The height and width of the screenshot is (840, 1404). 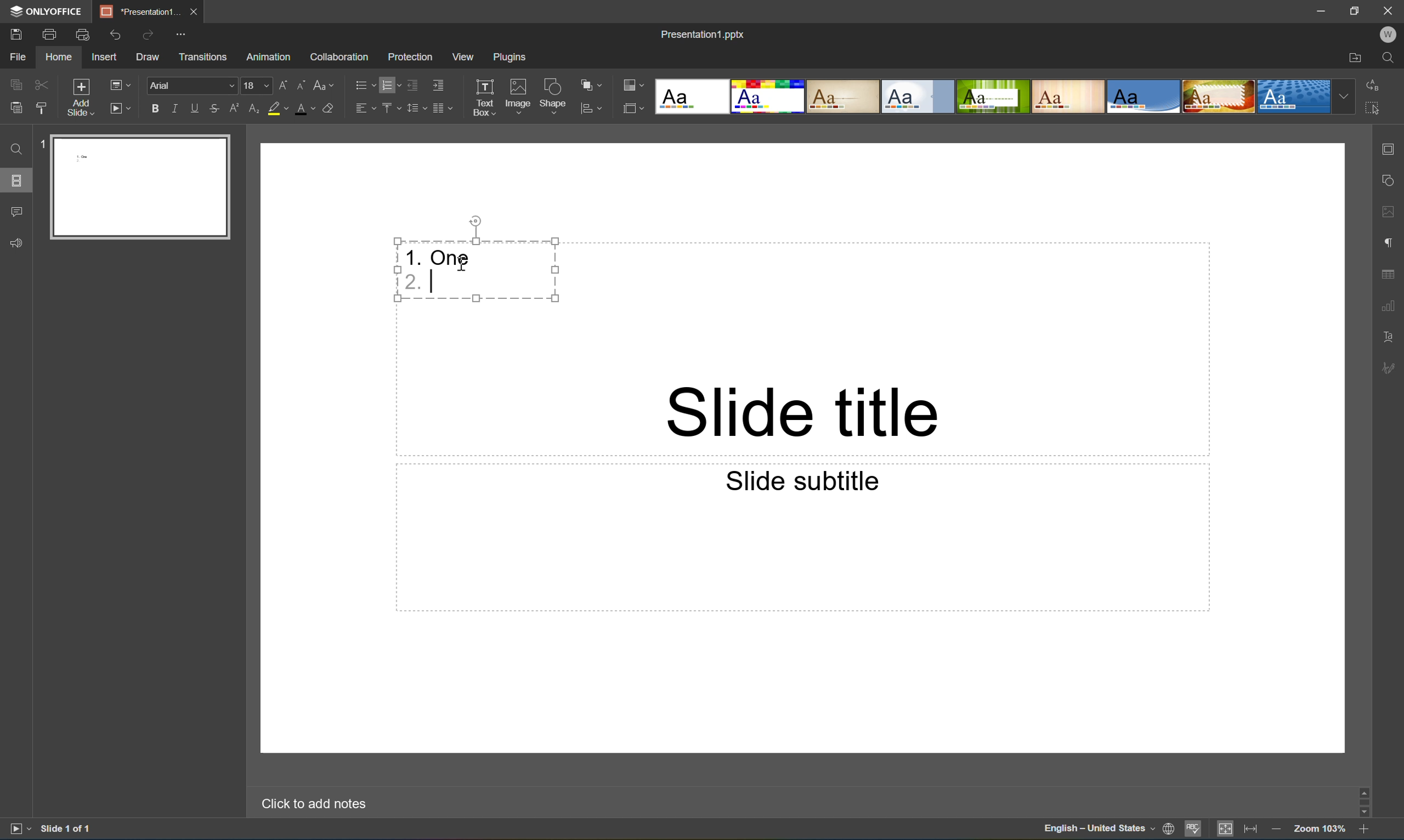 What do you see at coordinates (84, 35) in the screenshot?
I see `Quick print` at bounding box center [84, 35].